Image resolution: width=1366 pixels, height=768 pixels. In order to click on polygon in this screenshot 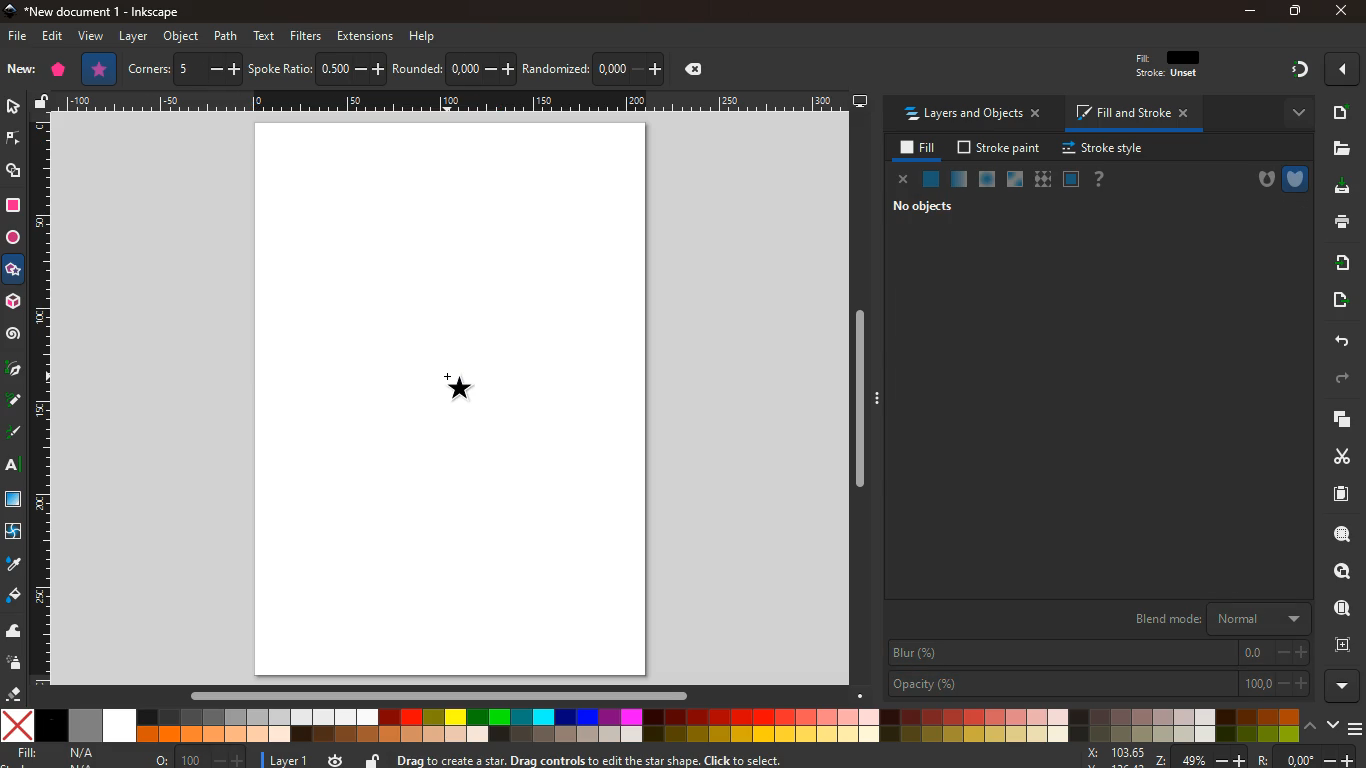, I will do `click(55, 69)`.